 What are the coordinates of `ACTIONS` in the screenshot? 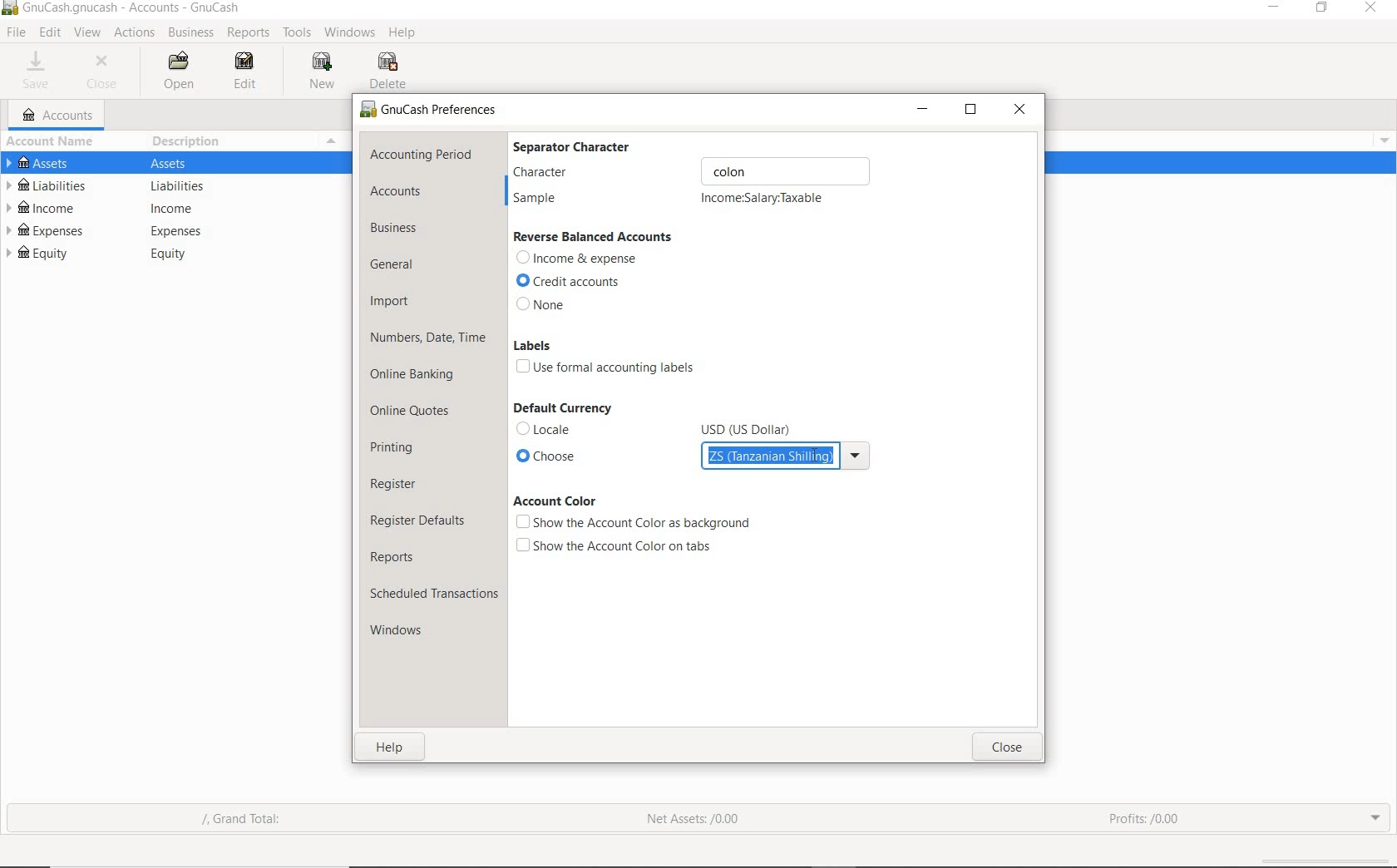 It's located at (134, 33).